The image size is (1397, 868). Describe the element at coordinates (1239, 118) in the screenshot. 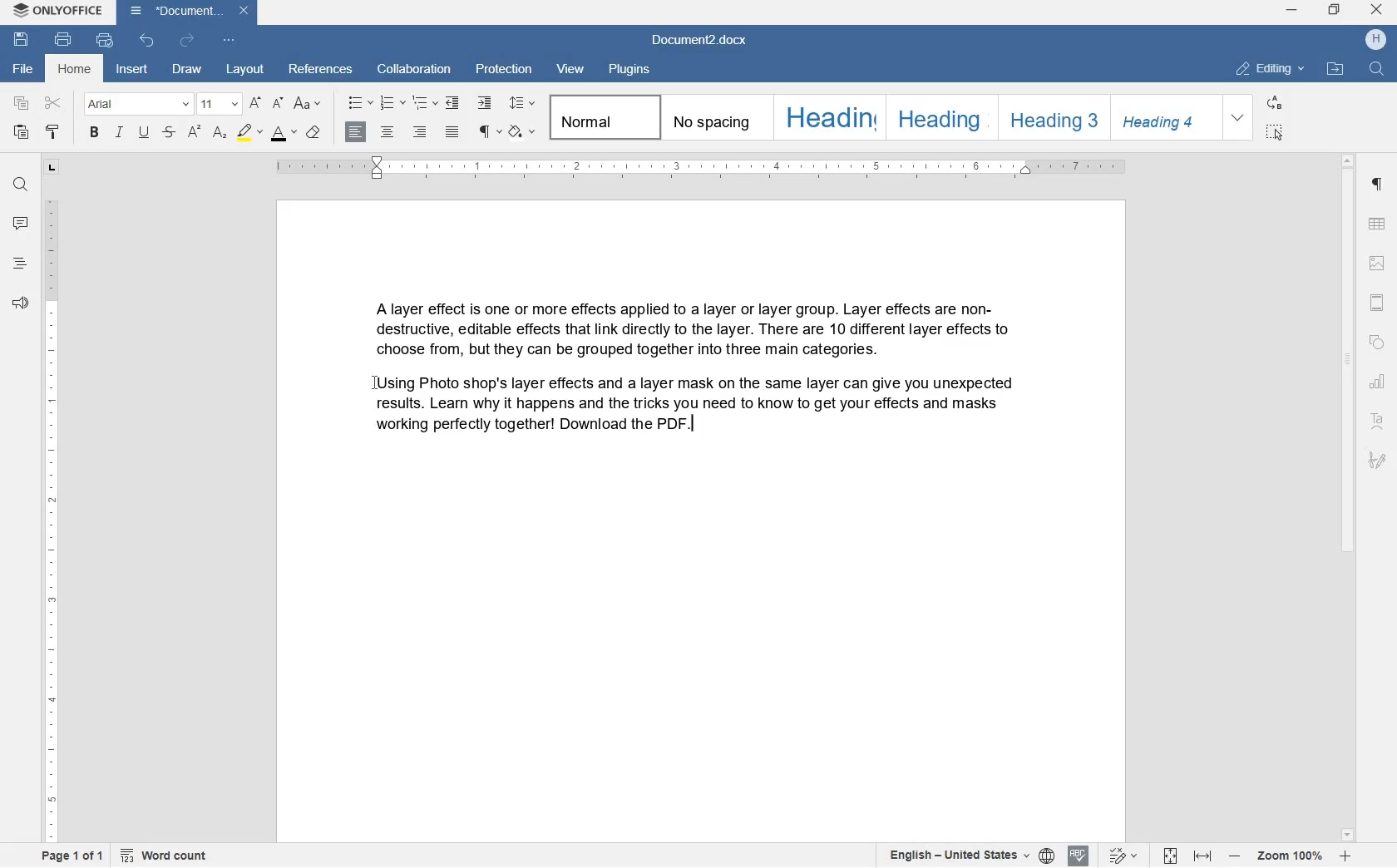

I see `EXPAND FORMATTING STYLE` at that location.